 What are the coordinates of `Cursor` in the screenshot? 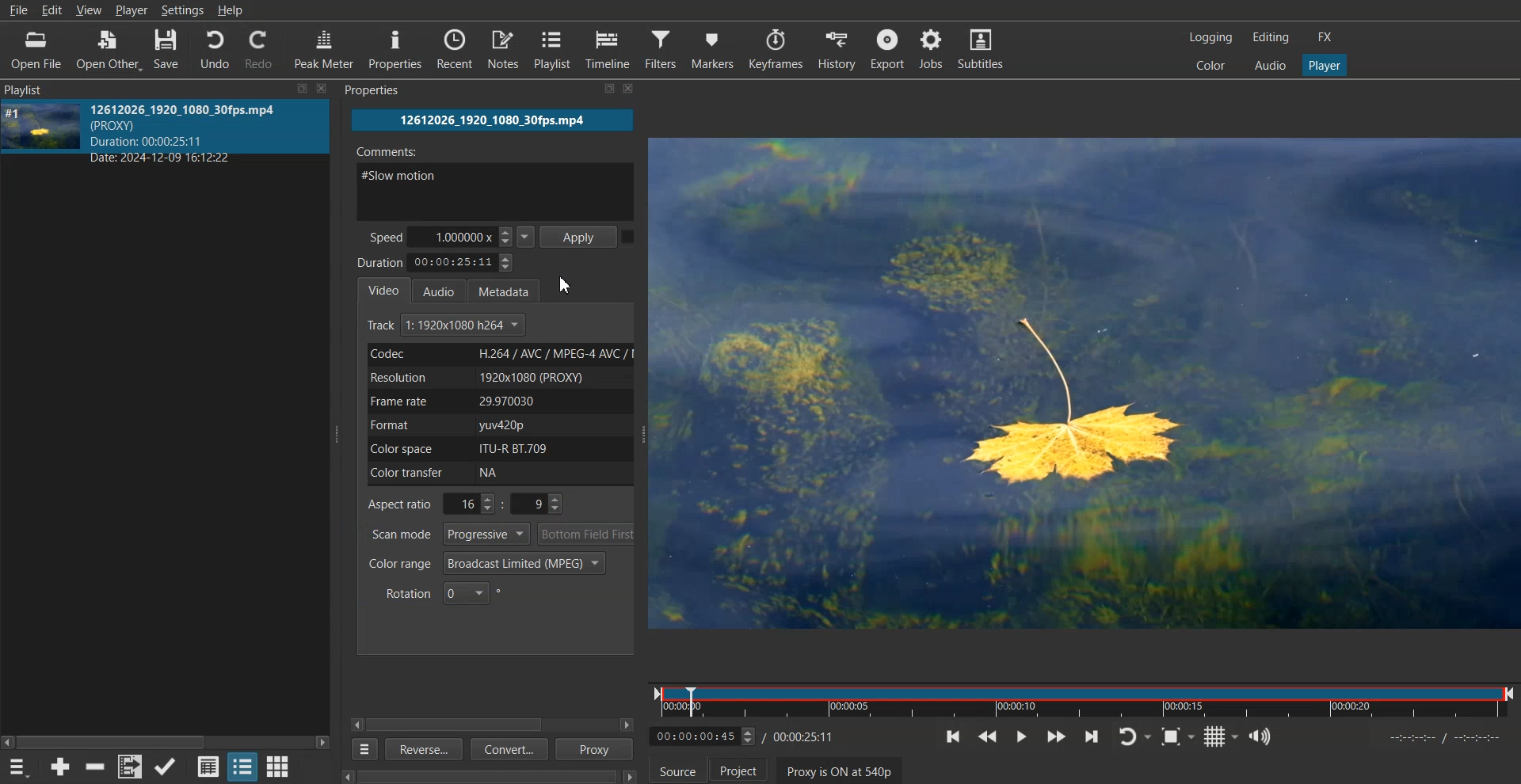 It's located at (566, 284).